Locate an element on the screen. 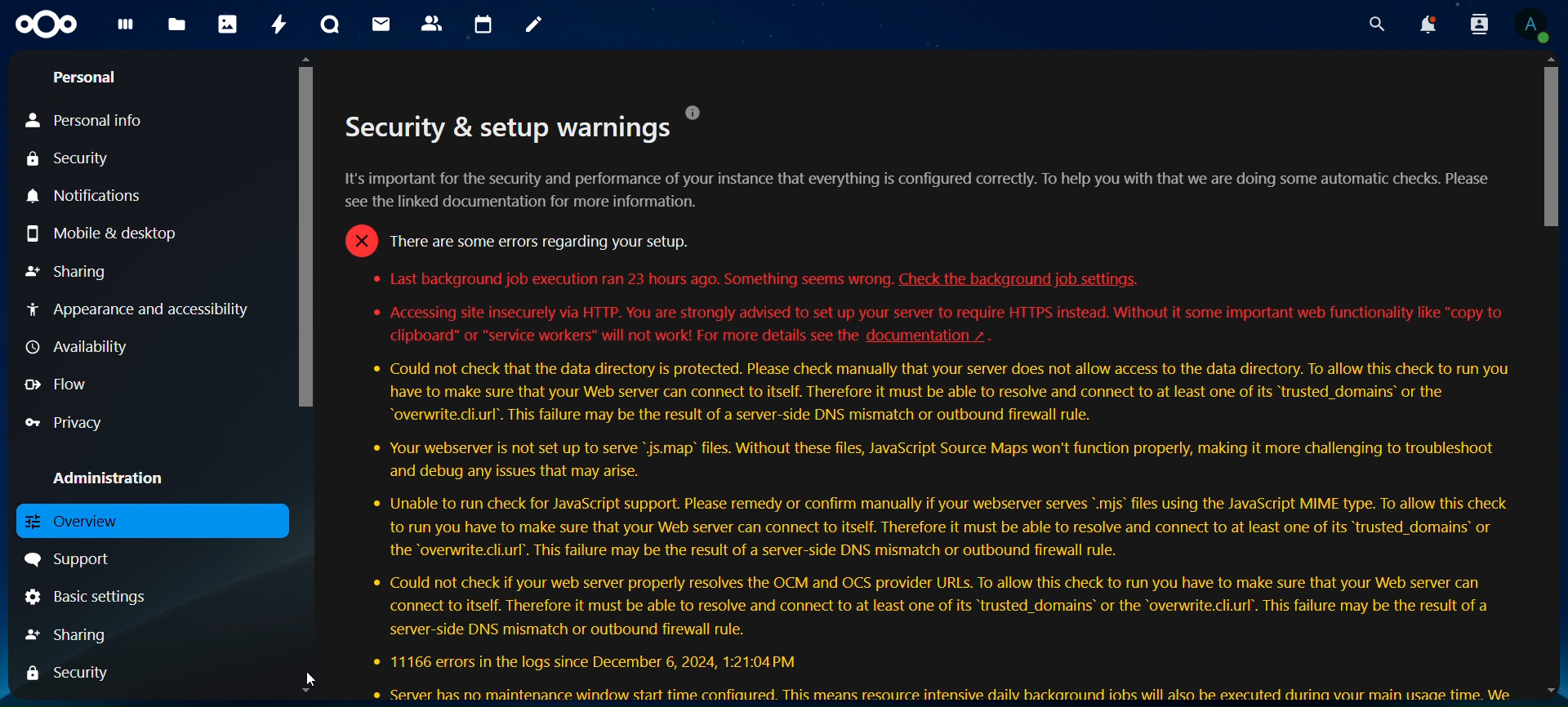 The width and height of the screenshot is (1568, 707). photos is located at coordinates (226, 24).